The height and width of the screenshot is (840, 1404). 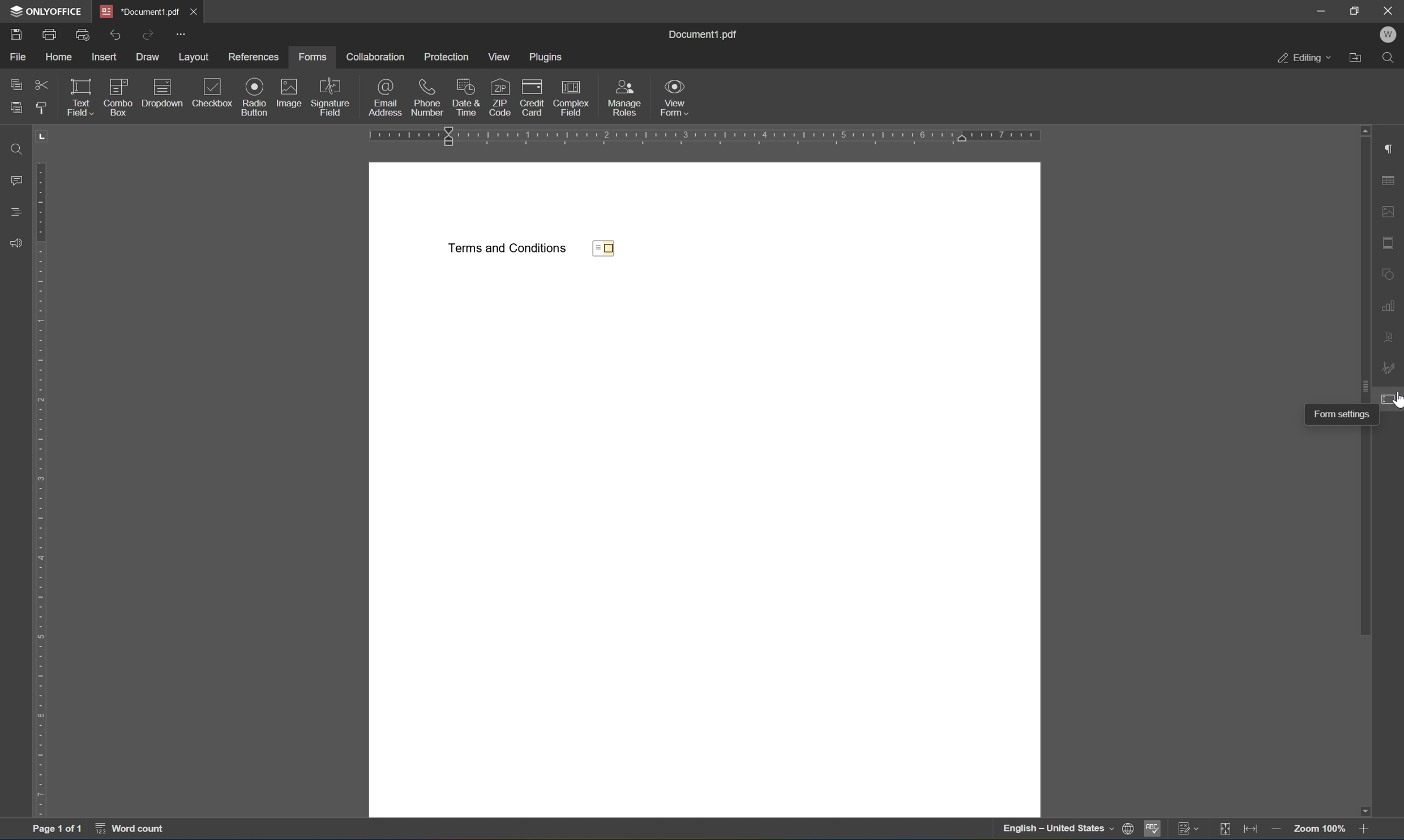 I want to click on protection, so click(x=445, y=57).